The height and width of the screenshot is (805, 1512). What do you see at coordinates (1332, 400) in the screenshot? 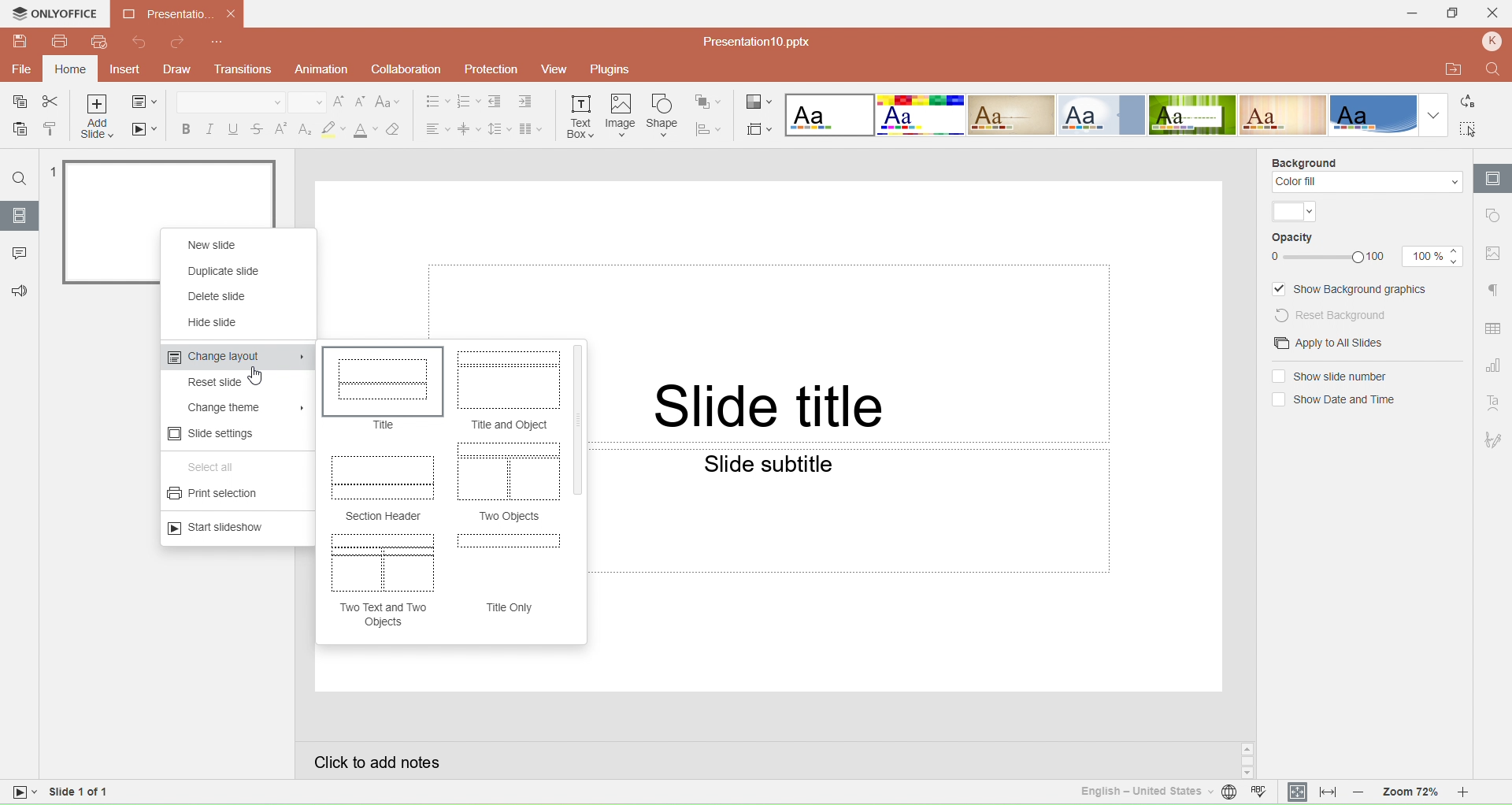
I see `(un)select Show date and time` at bounding box center [1332, 400].